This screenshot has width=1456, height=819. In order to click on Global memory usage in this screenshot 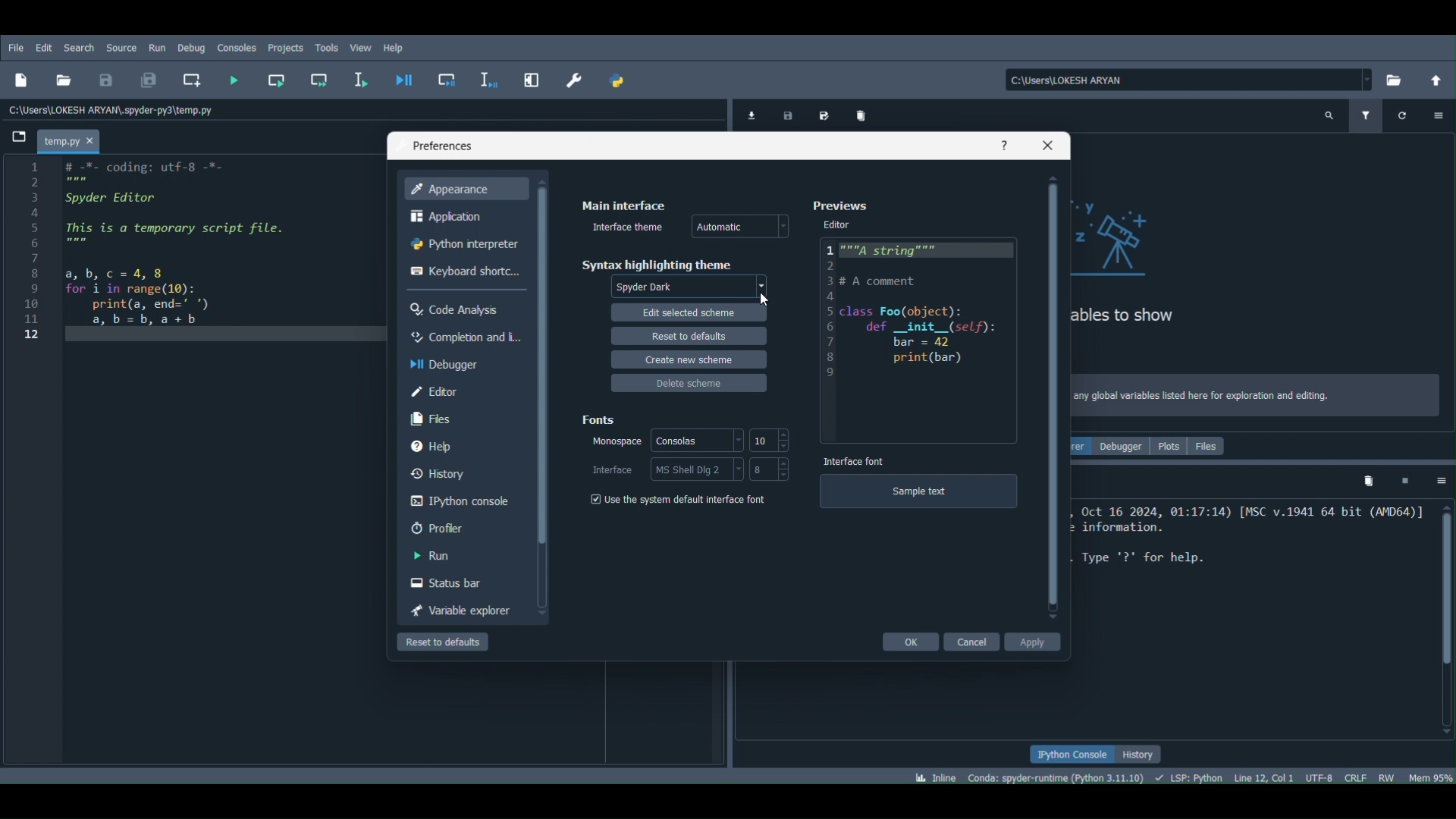, I will do `click(1430, 774)`.